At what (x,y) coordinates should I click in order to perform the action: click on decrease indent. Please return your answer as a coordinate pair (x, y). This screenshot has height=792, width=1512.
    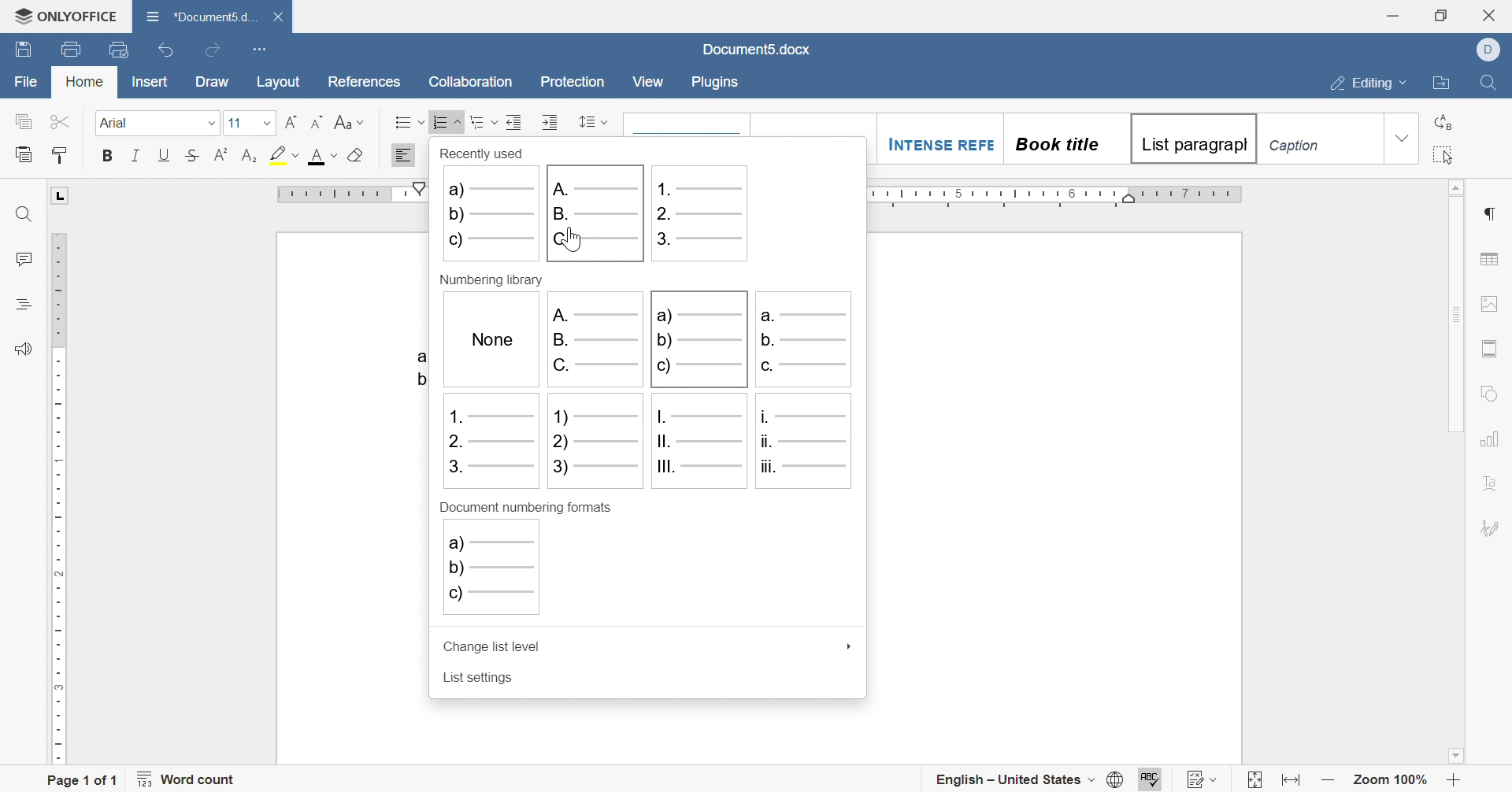
    Looking at the image, I should click on (513, 120).